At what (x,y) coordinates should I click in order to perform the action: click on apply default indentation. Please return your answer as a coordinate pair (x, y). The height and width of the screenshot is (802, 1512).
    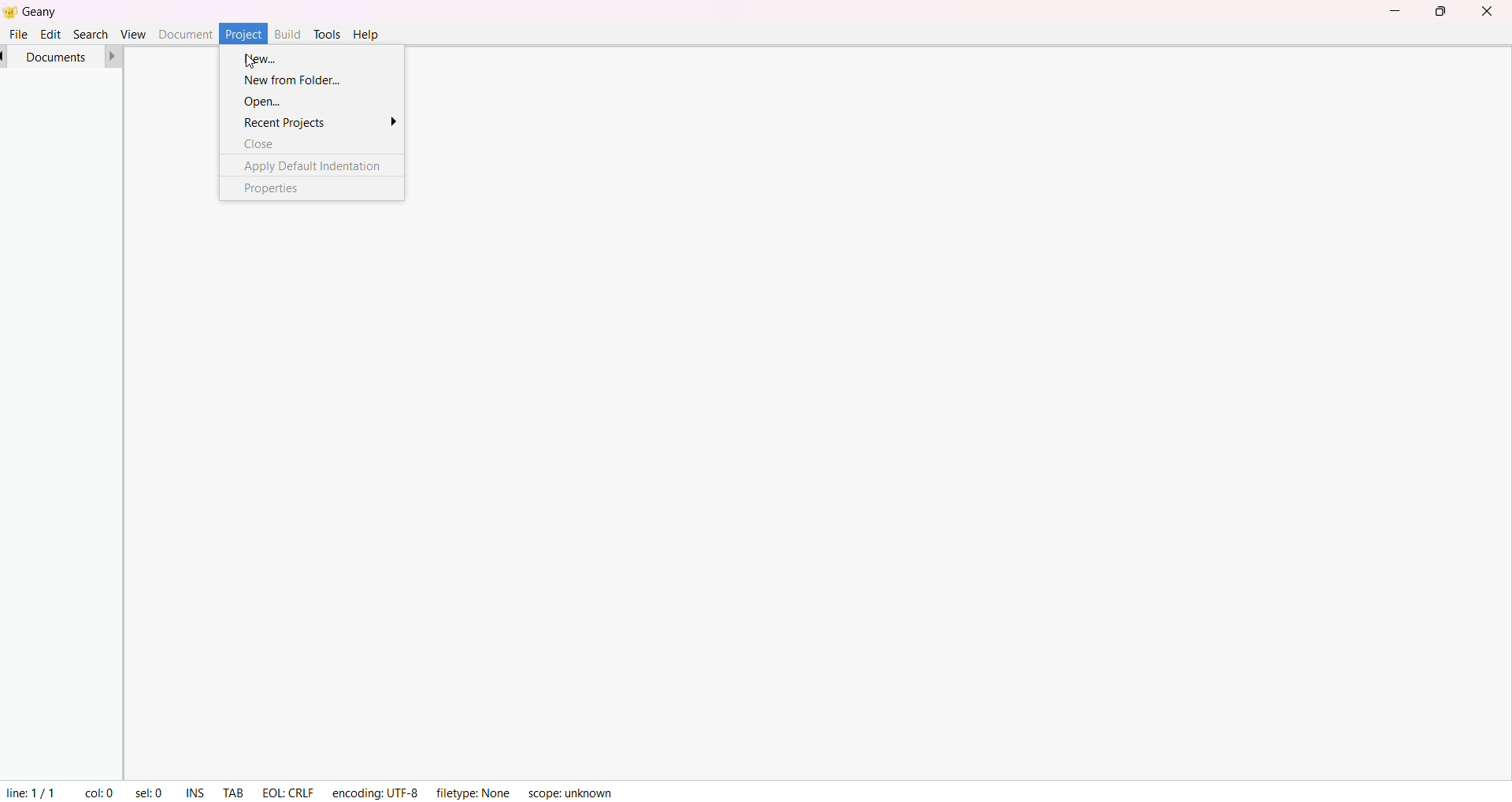
    Looking at the image, I should click on (321, 167).